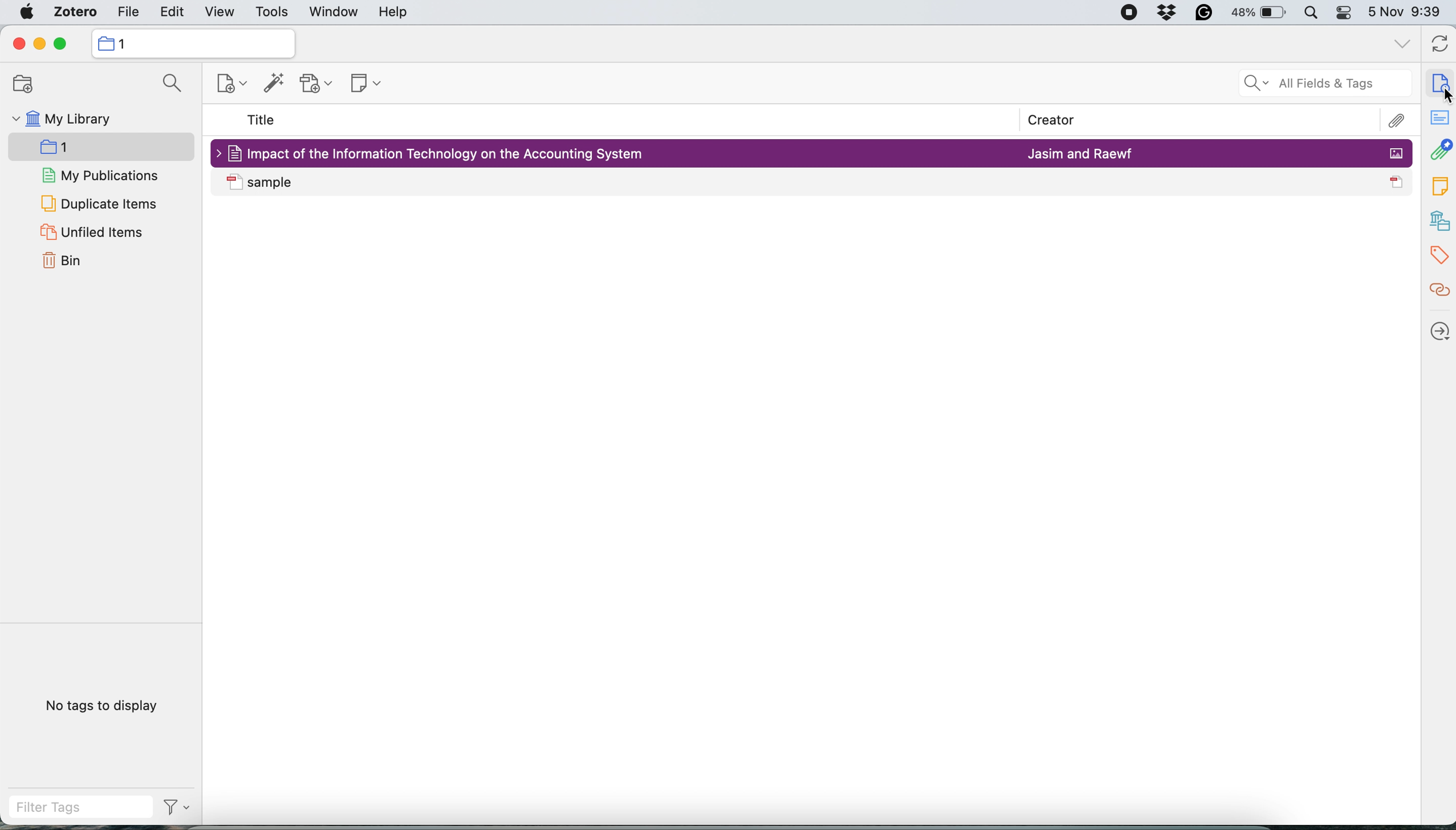  I want to click on add collection, so click(27, 85).